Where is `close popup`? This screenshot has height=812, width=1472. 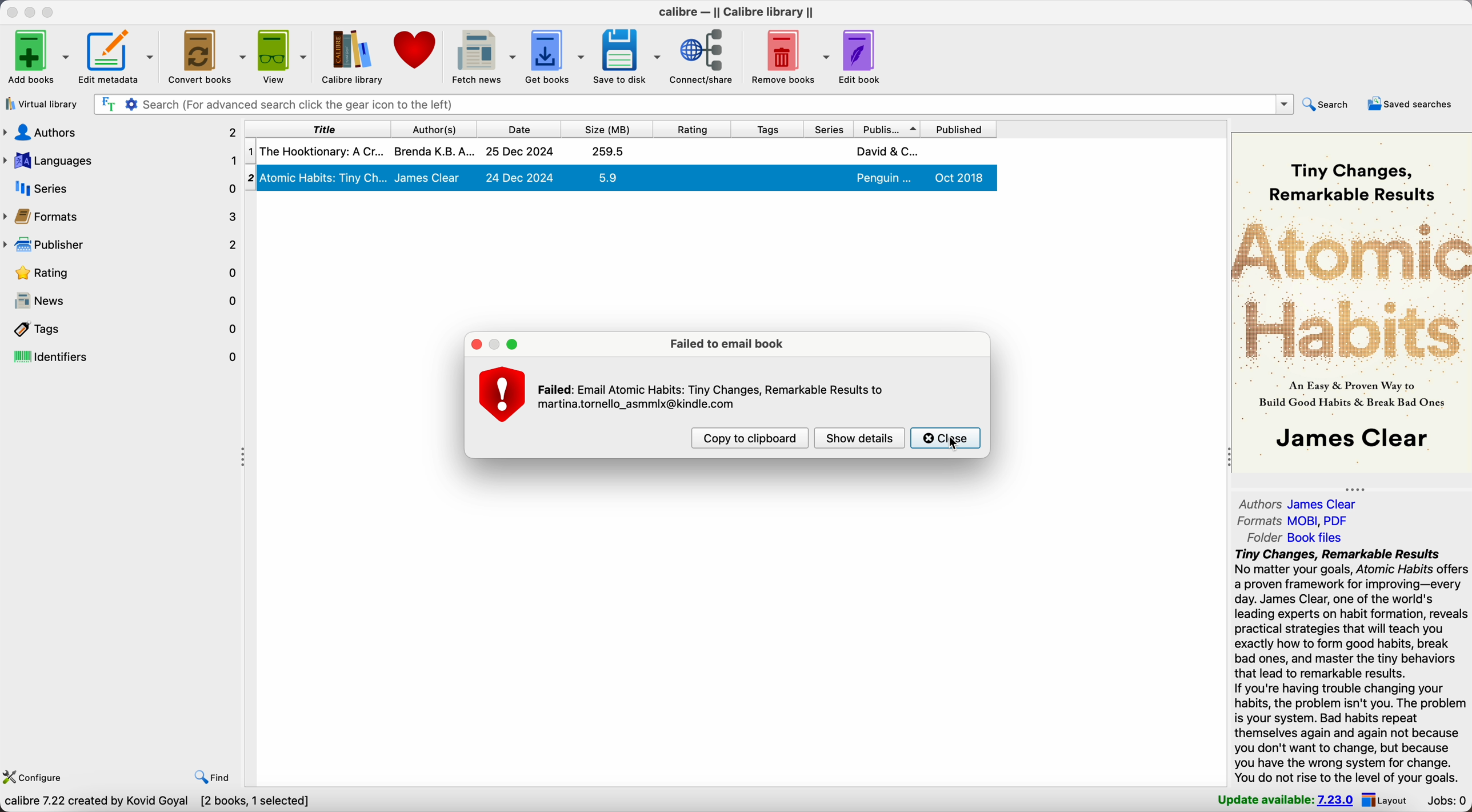
close popup is located at coordinates (474, 344).